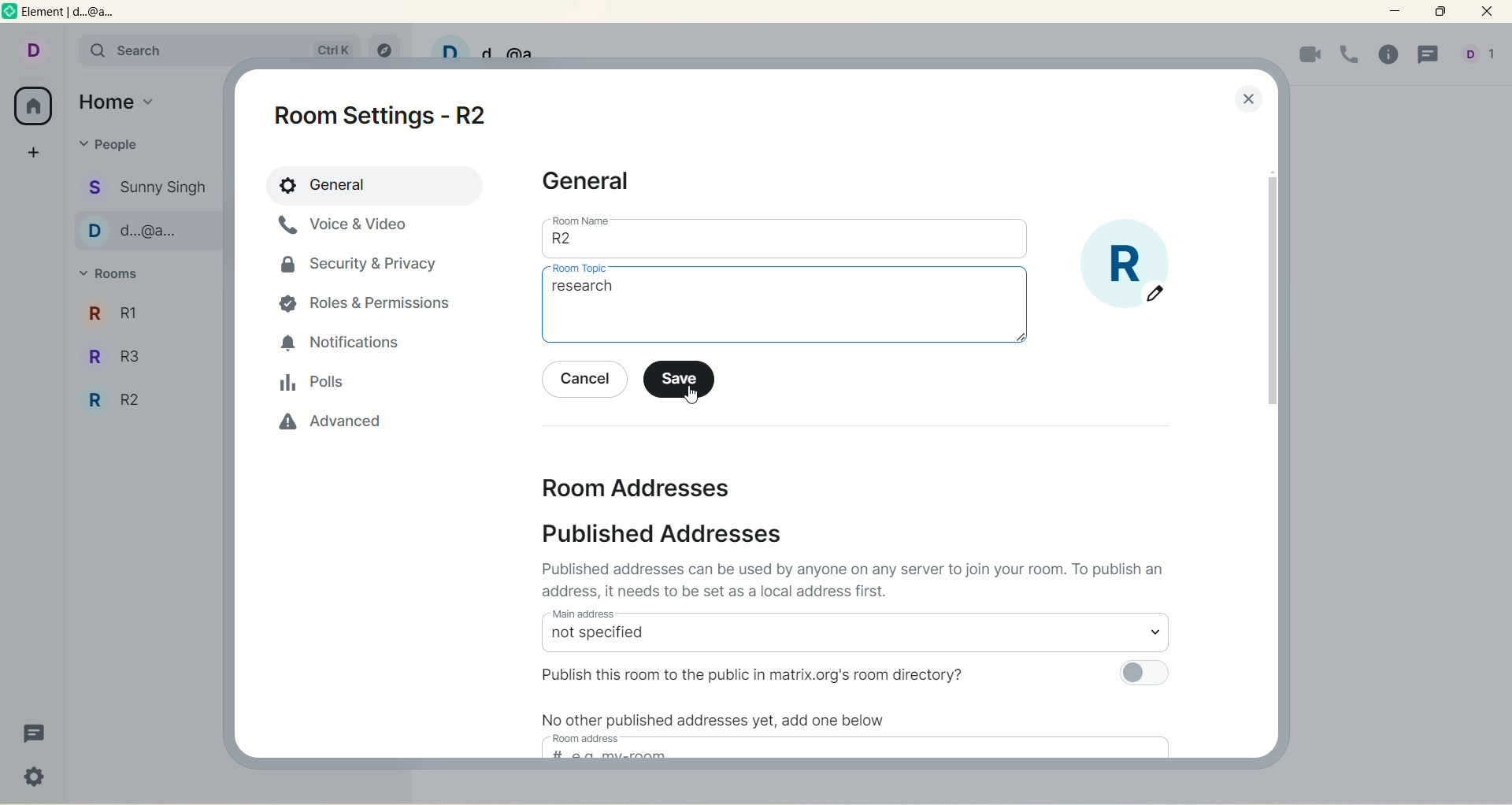 The height and width of the screenshot is (805, 1512). I want to click on account, so click(32, 48).